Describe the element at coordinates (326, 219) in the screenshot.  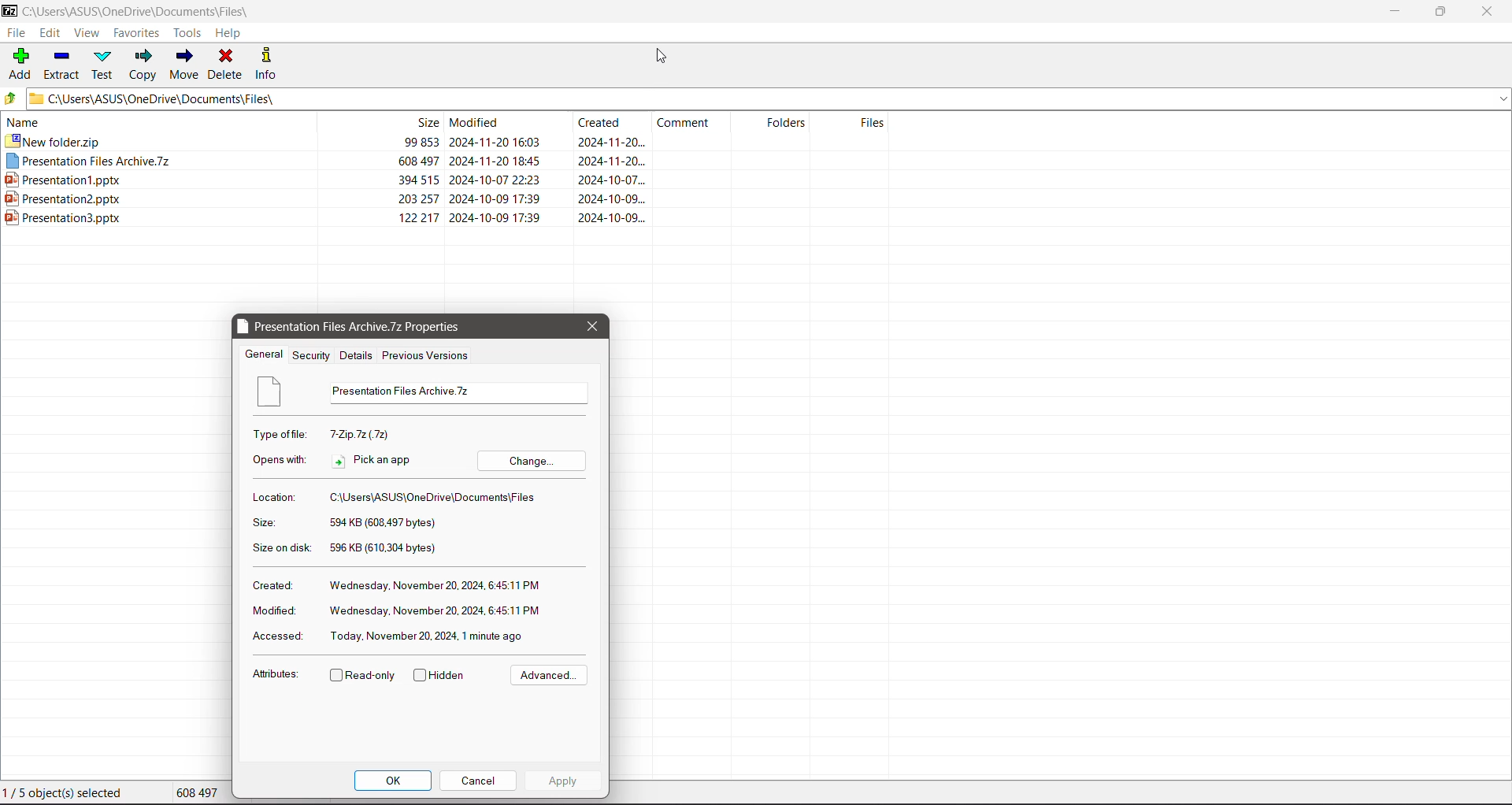
I see `Presentation3.pptx 122217 2024-10-09 17:39 2024-10-09...` at that location.